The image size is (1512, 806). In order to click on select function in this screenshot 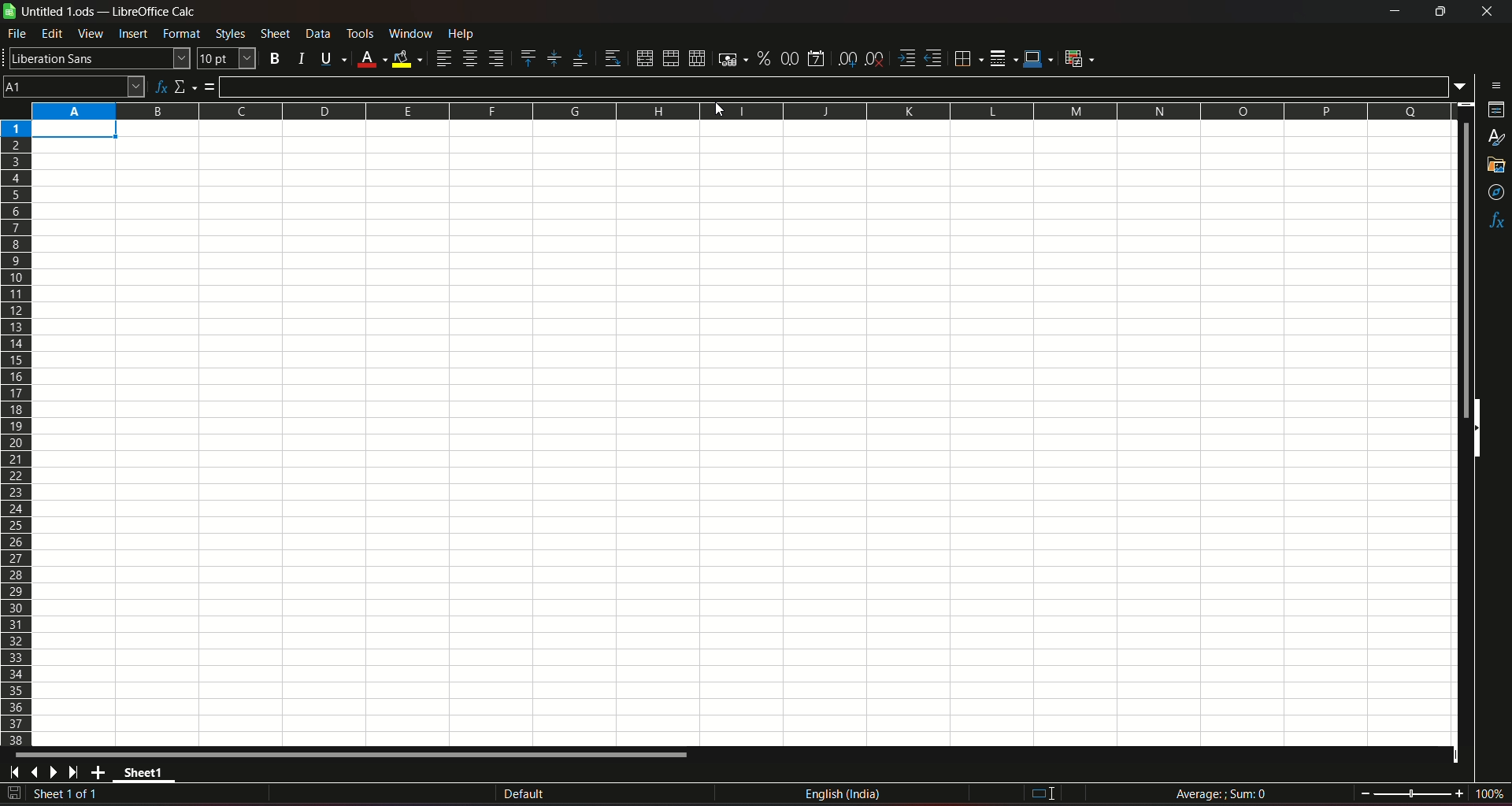, I will do `click(186, 85)`.